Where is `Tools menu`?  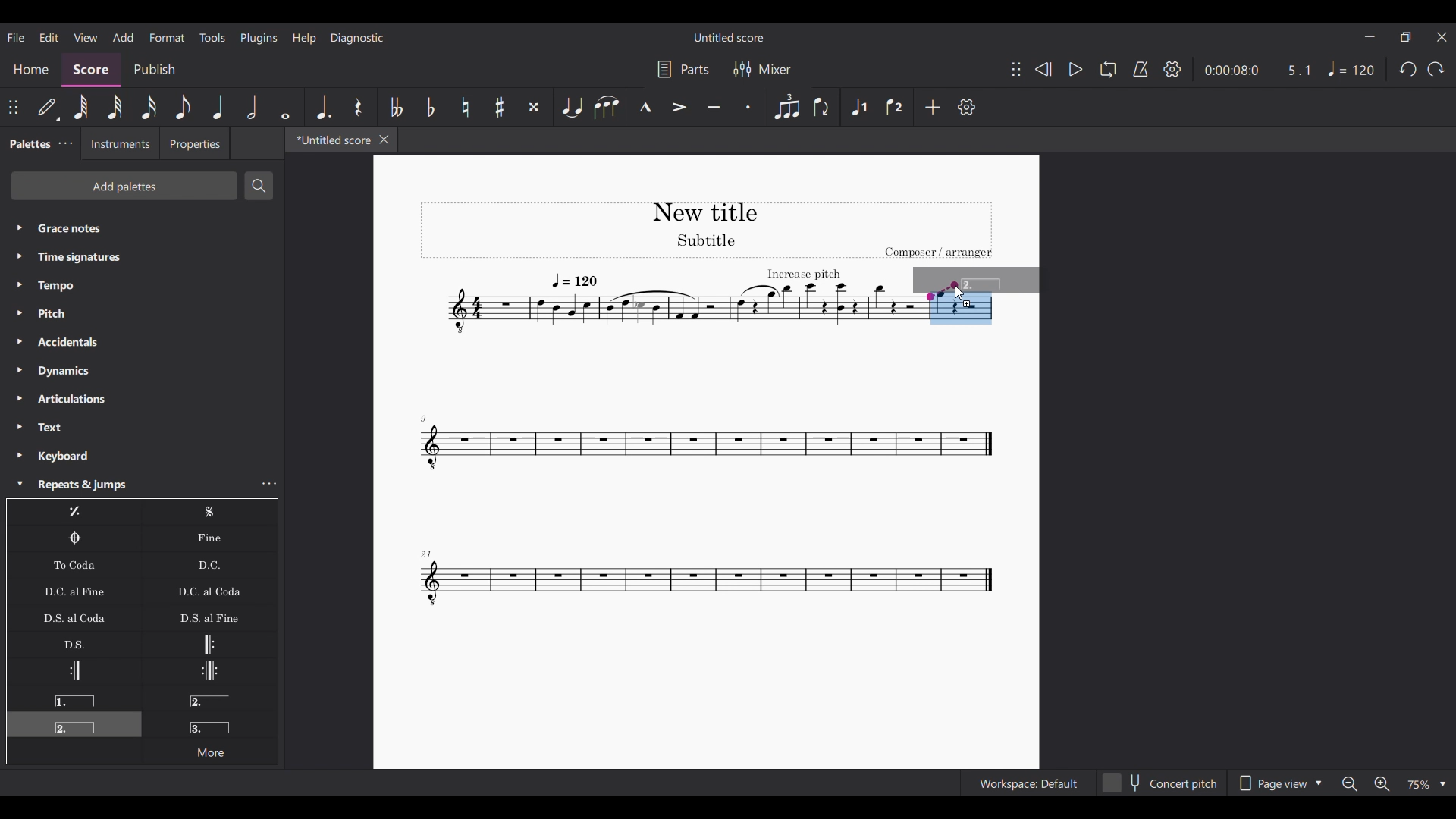
Tools menu is located at coordinates (212, 38).